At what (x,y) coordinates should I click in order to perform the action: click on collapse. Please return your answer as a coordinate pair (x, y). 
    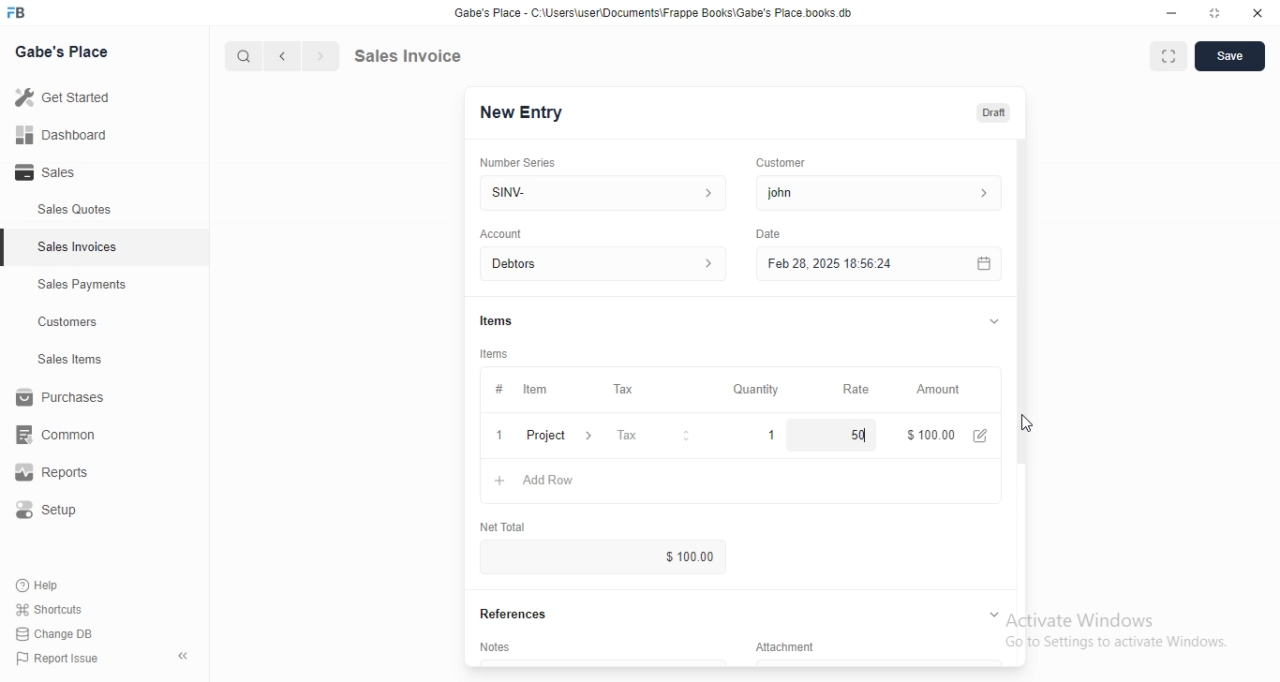
    Looking at the image, I should click on (991, 321).